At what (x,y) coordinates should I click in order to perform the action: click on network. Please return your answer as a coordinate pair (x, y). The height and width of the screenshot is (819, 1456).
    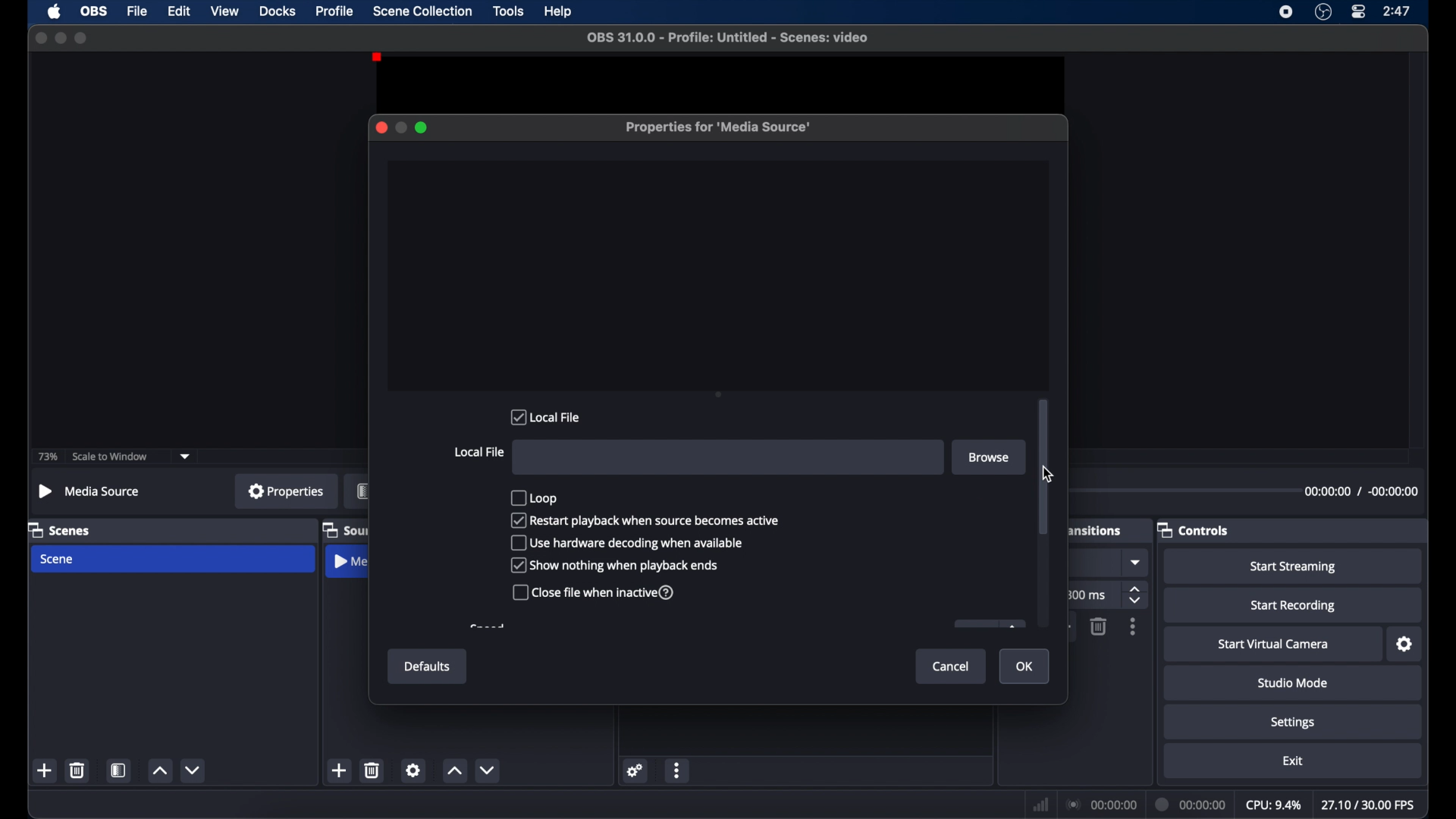
    Looking at the image, I should click on (1040, 805).